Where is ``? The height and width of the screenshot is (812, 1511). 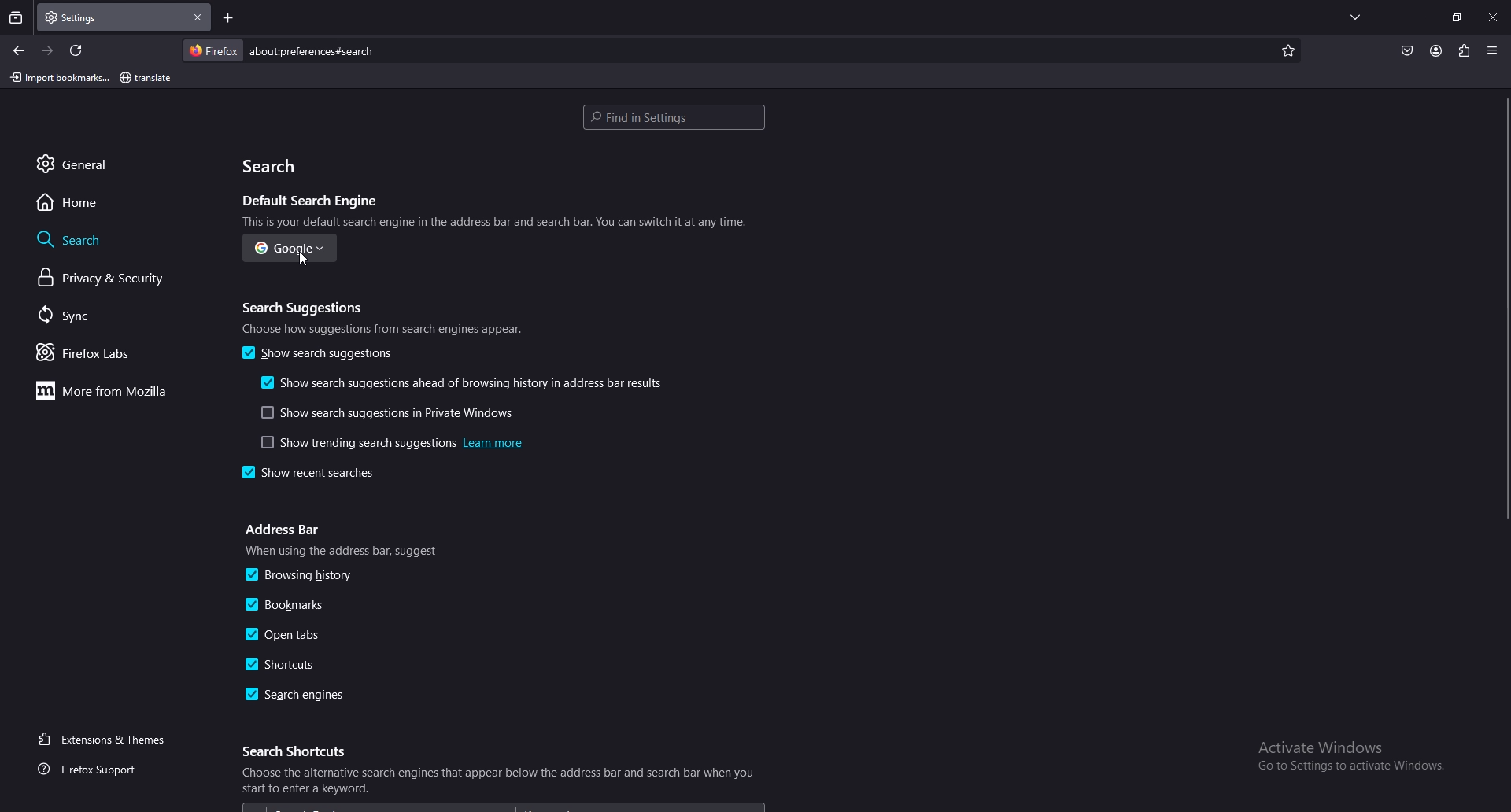
 is located at coordinates (305, 306).